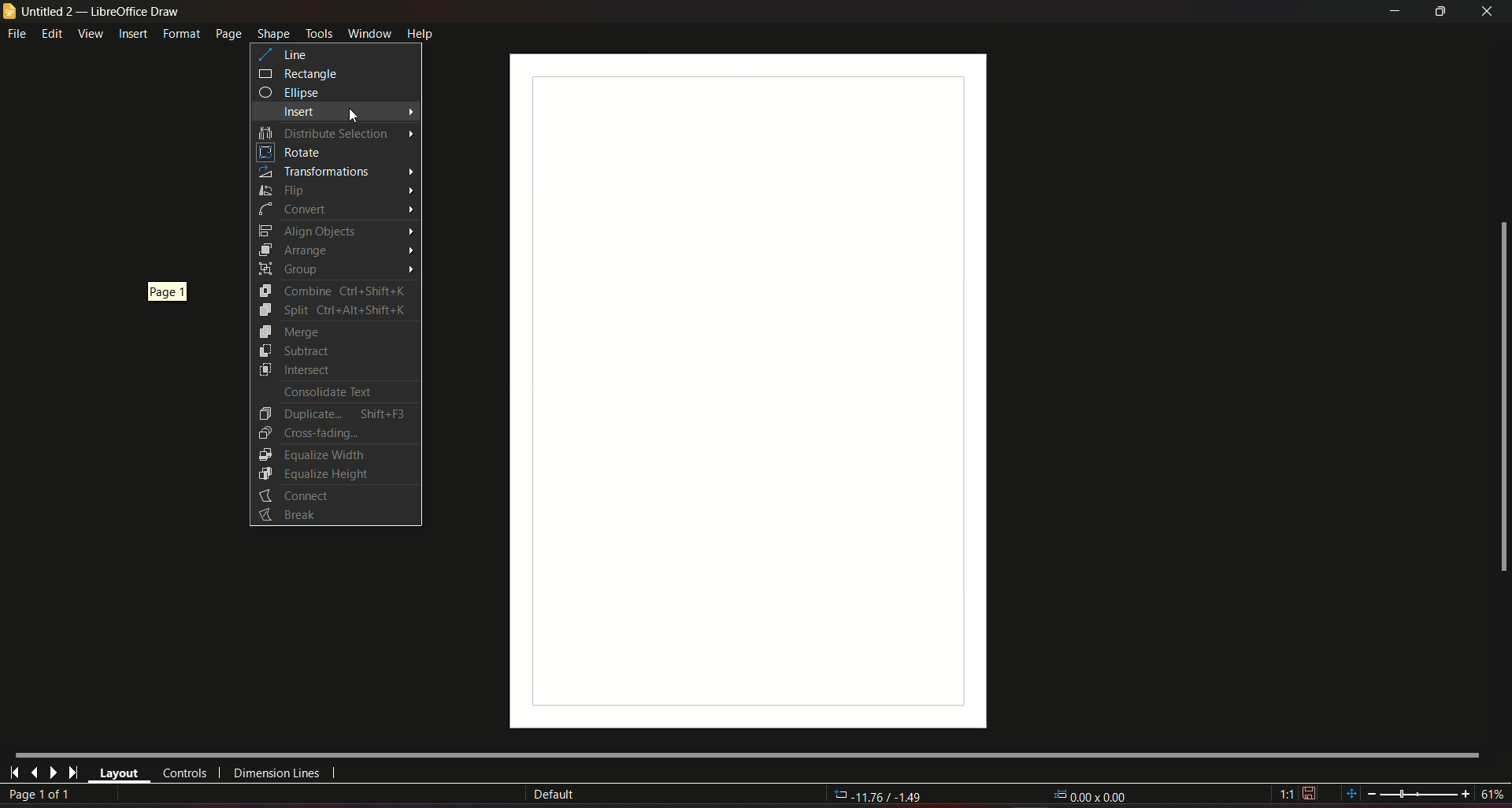 This screenshot has width=1512, height=808. Describe the element at coordinates (306, 230) in the screenshot. I see `Align Objects` at that location.